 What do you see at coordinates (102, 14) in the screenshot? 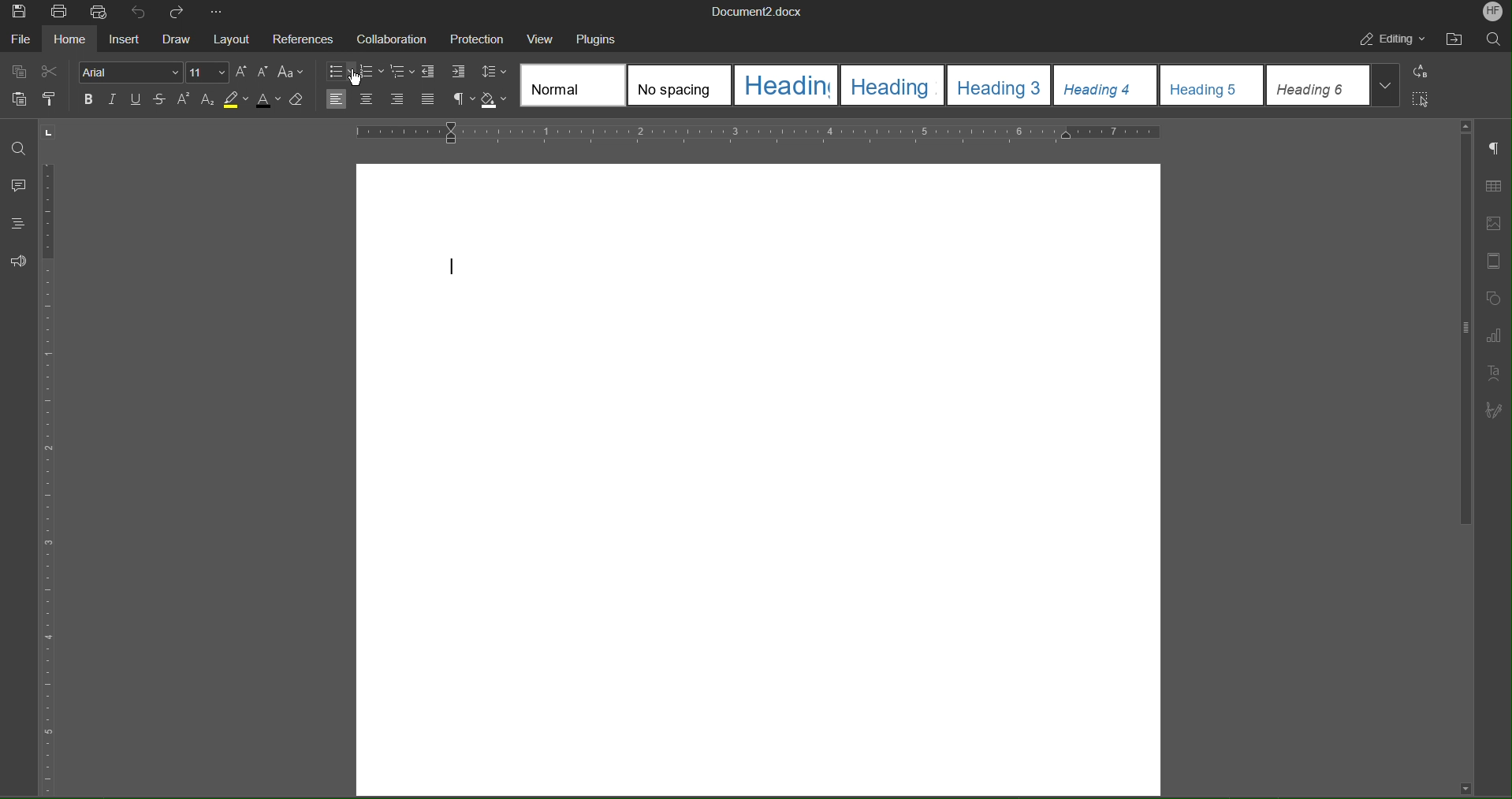
I see `Quick Print` at bounding box center [102, 14].